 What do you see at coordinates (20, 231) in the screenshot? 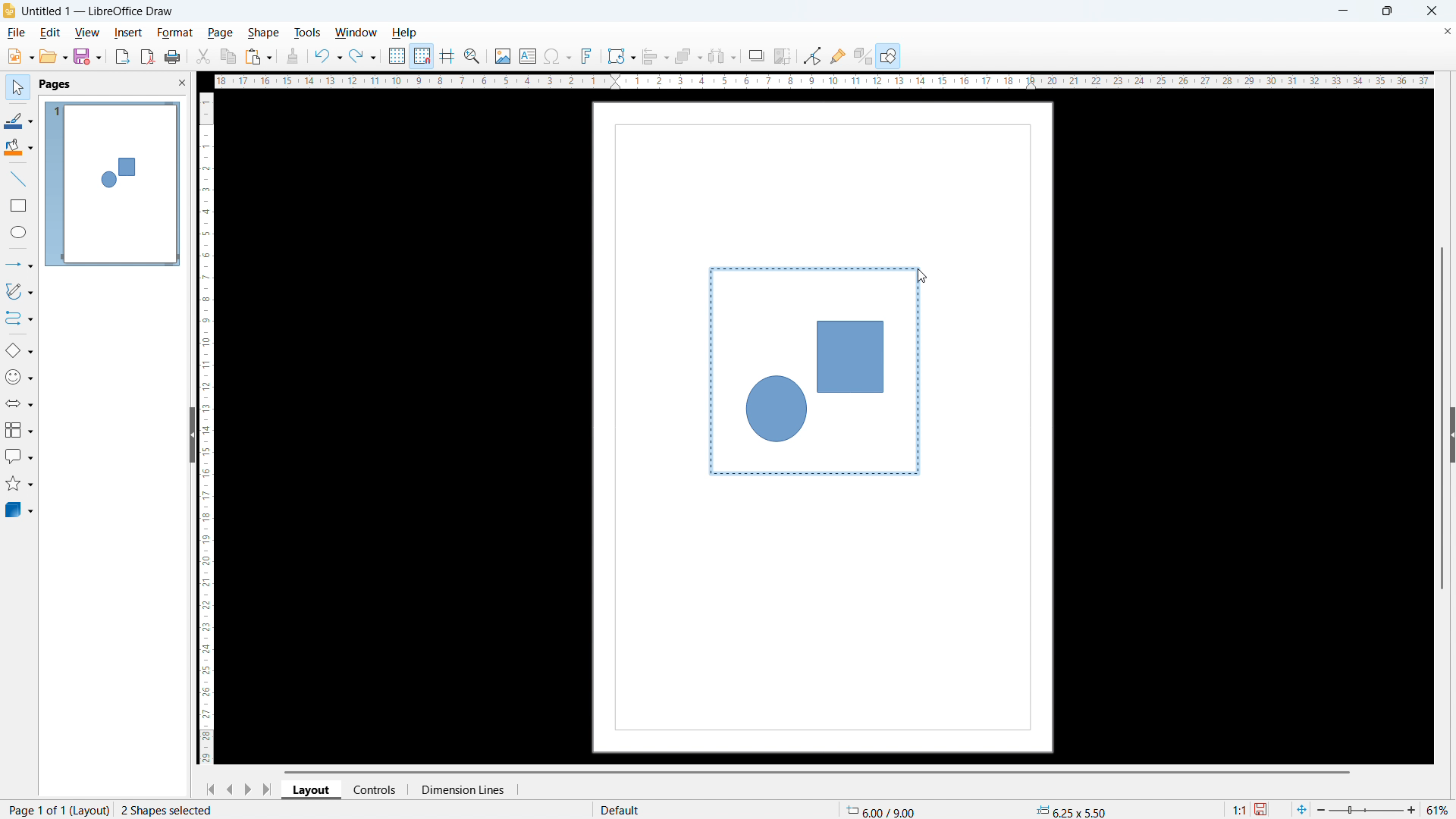
I see `elipse` at bounding box center [20, 231].